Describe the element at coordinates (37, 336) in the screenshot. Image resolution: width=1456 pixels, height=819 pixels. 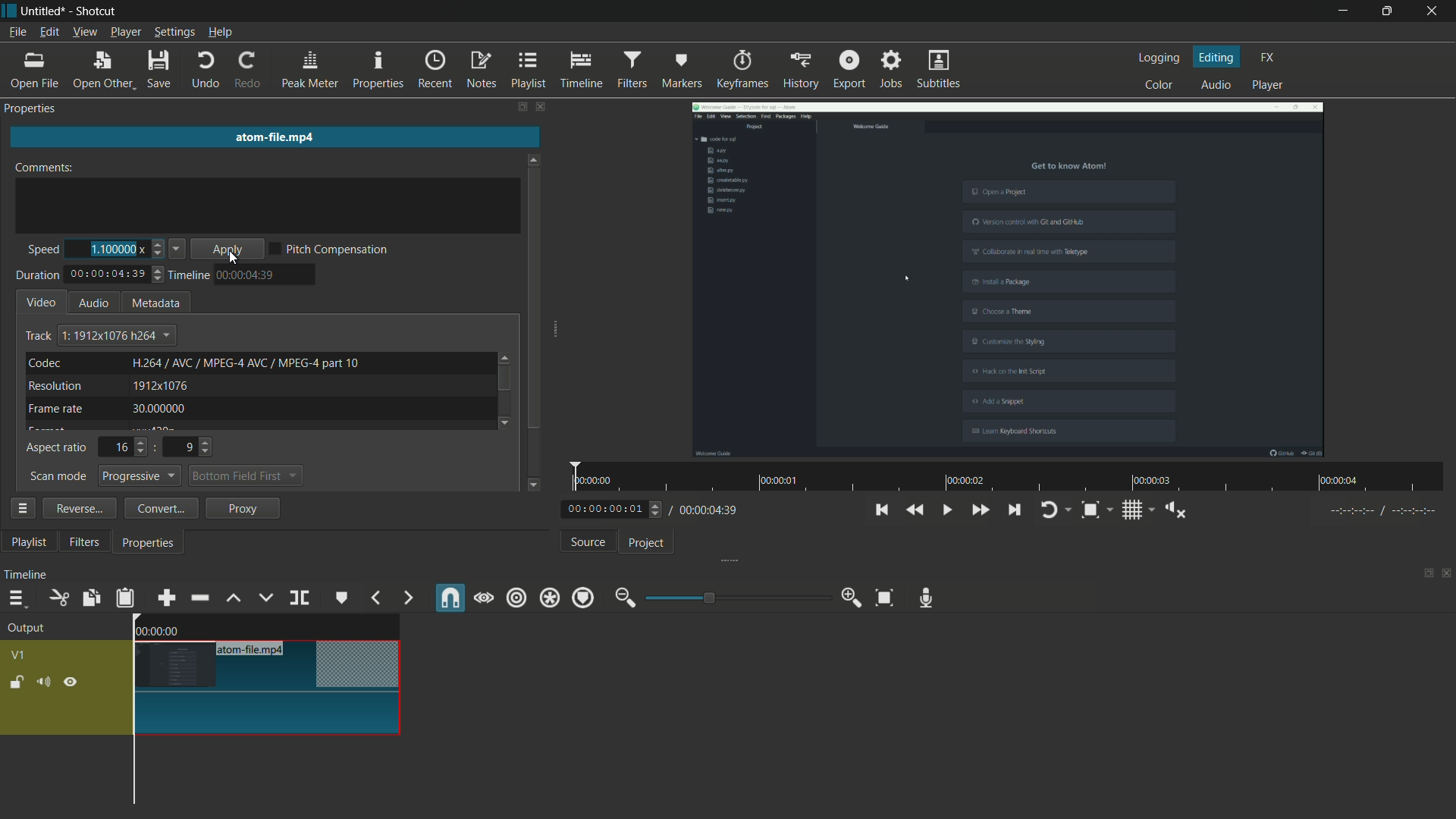
I see `track` at that location.